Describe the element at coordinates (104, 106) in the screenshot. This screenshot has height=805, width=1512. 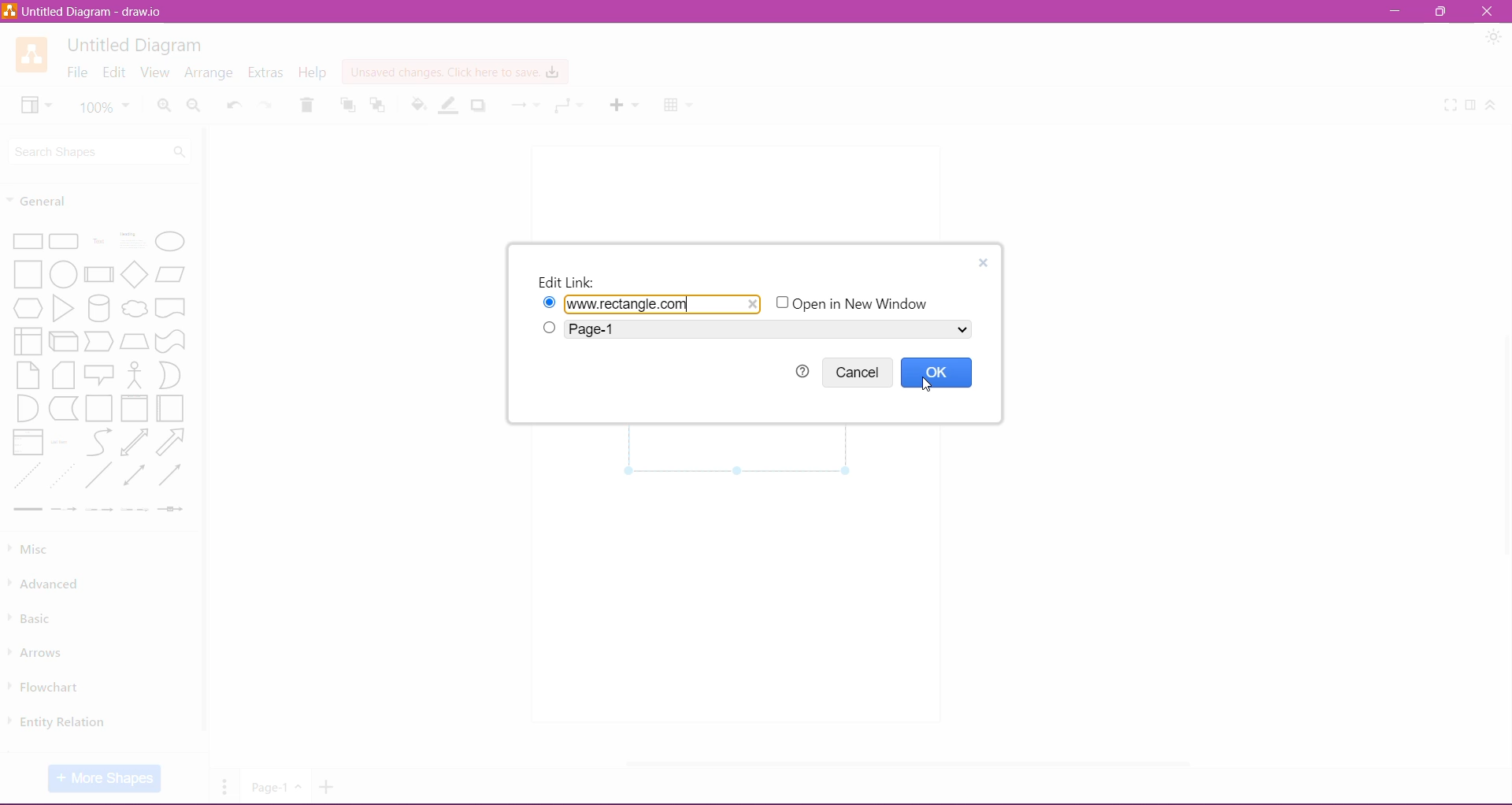
I see `Zoom` at that location.